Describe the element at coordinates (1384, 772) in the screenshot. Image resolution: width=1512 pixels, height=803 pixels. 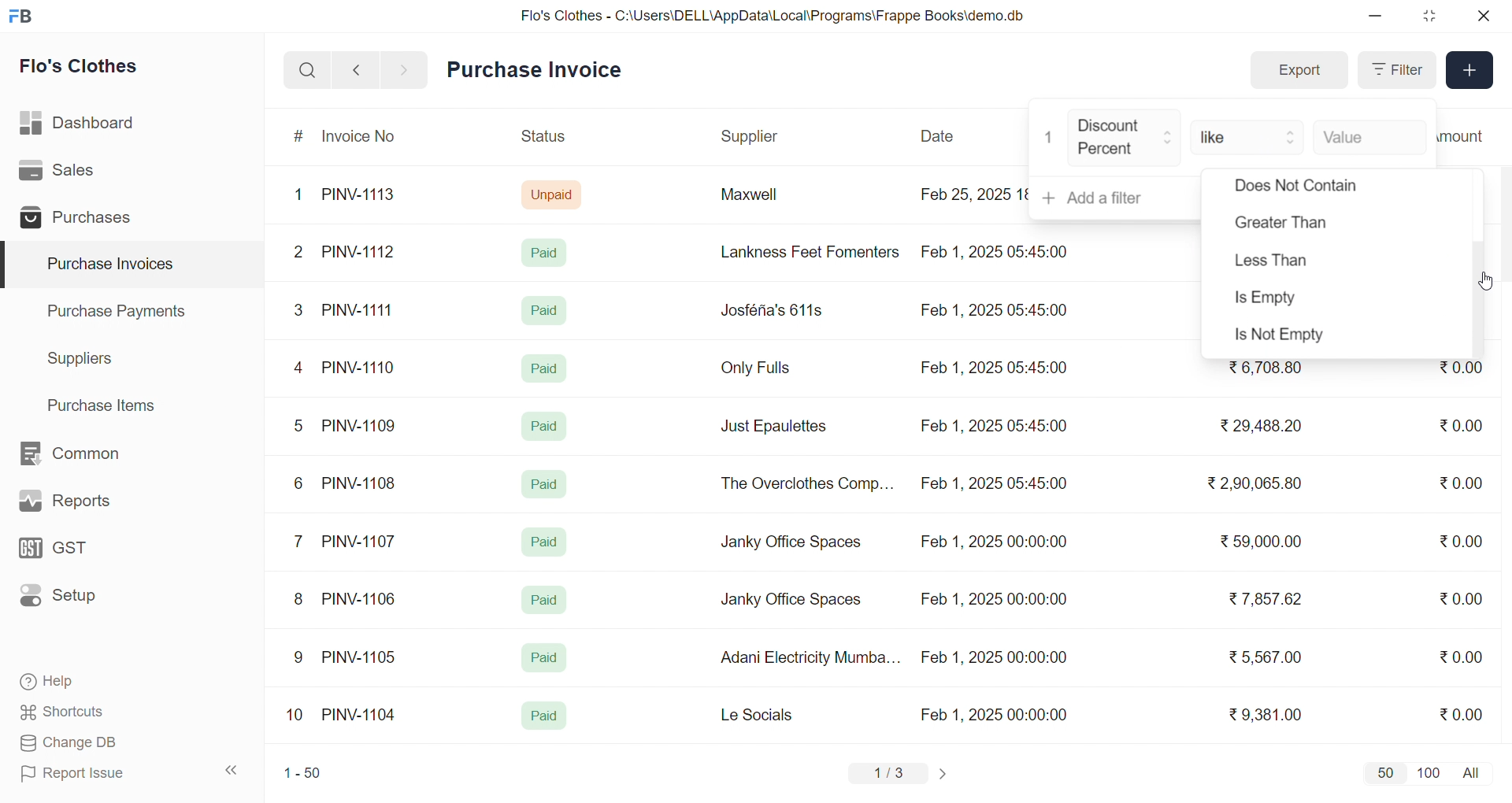
I see `50` at that location.